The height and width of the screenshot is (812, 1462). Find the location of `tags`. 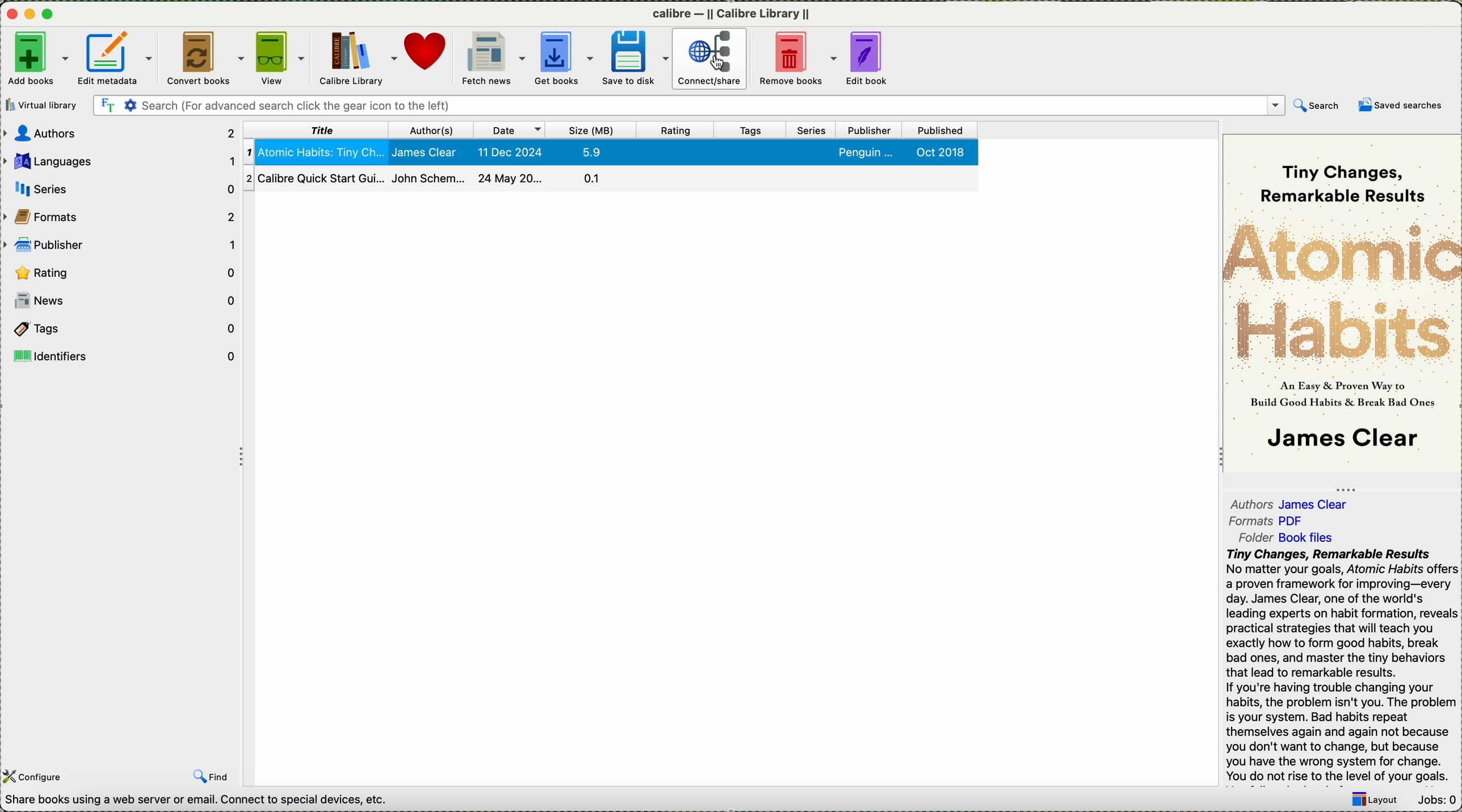

tags is located at coordinates (752, 129).